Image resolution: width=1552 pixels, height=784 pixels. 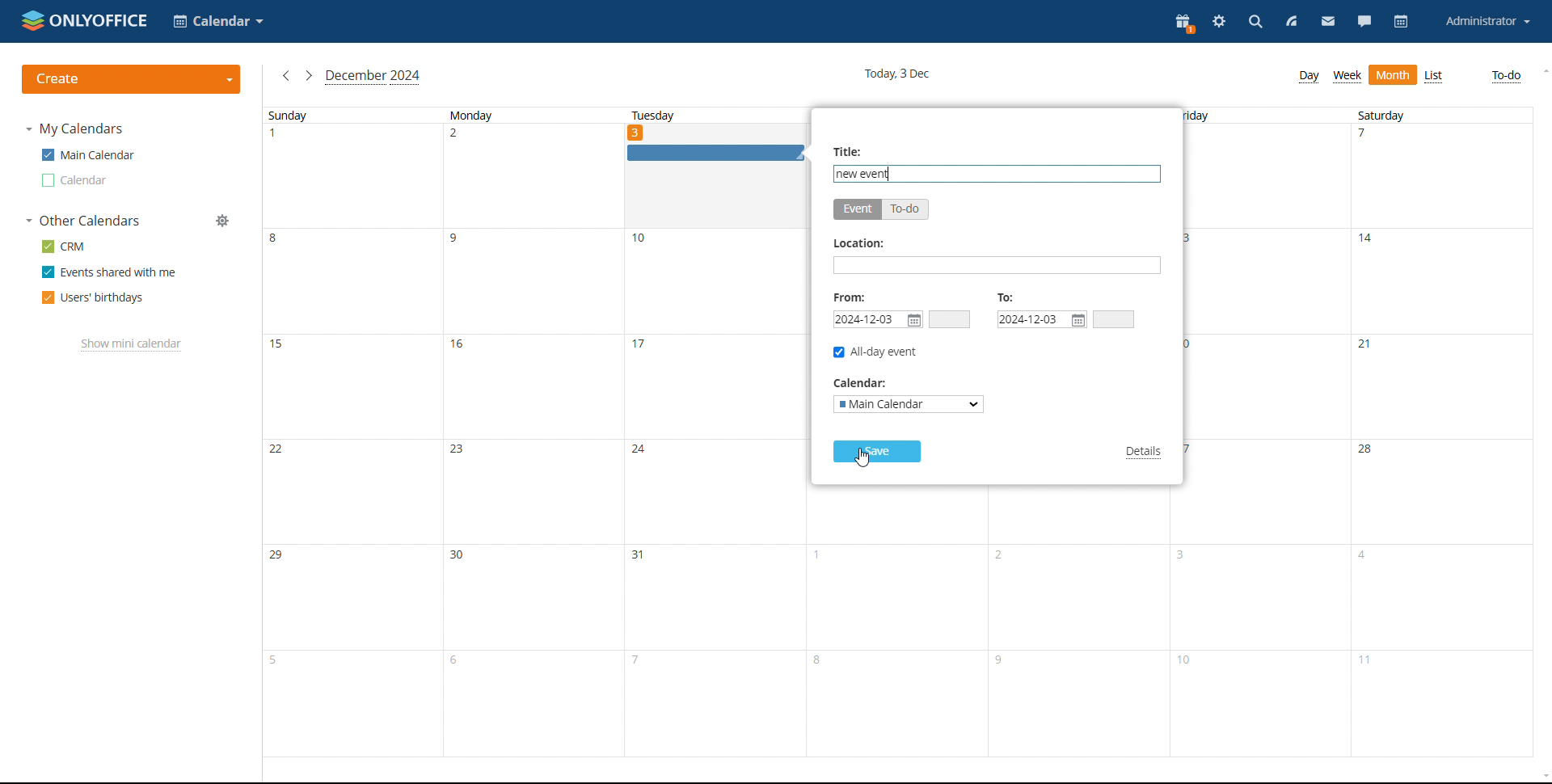 I want to click on from:, so click(x=850, y=297).